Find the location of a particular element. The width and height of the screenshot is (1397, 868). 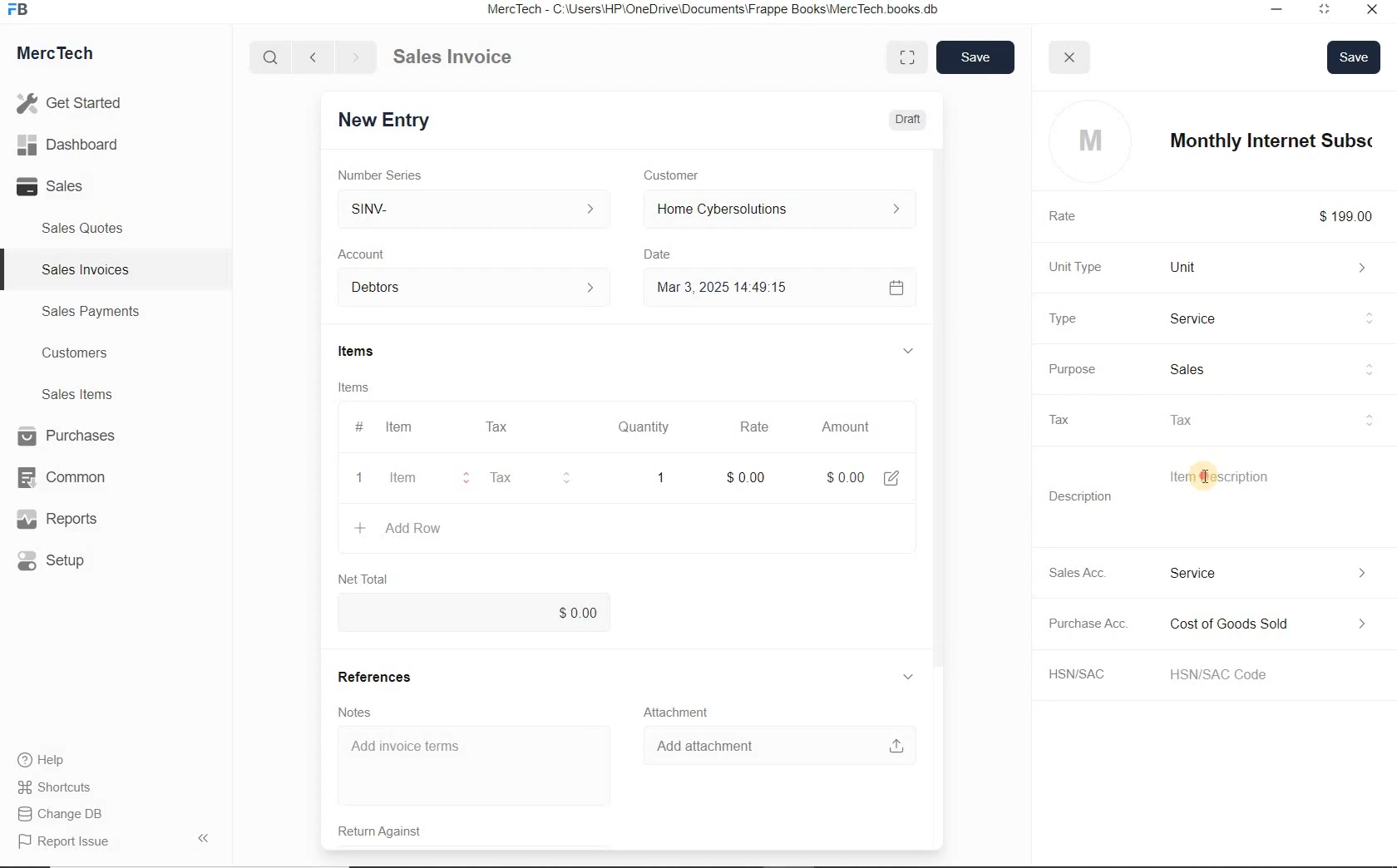

edit is located at coordinates (890, 476).